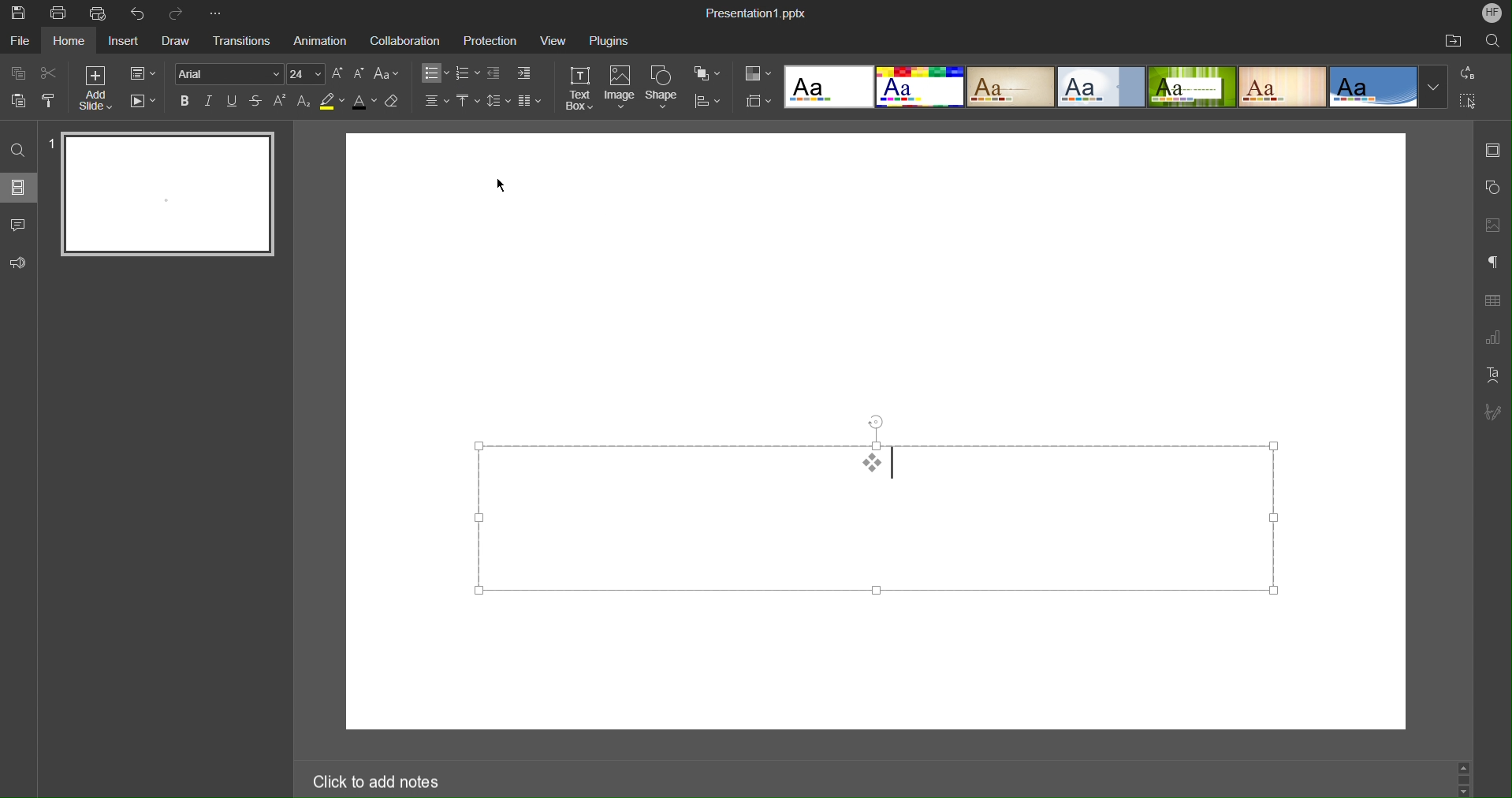 This screenshot has width=1512, height=798. I want to click on Slide Size Settings, so click(758, 100).